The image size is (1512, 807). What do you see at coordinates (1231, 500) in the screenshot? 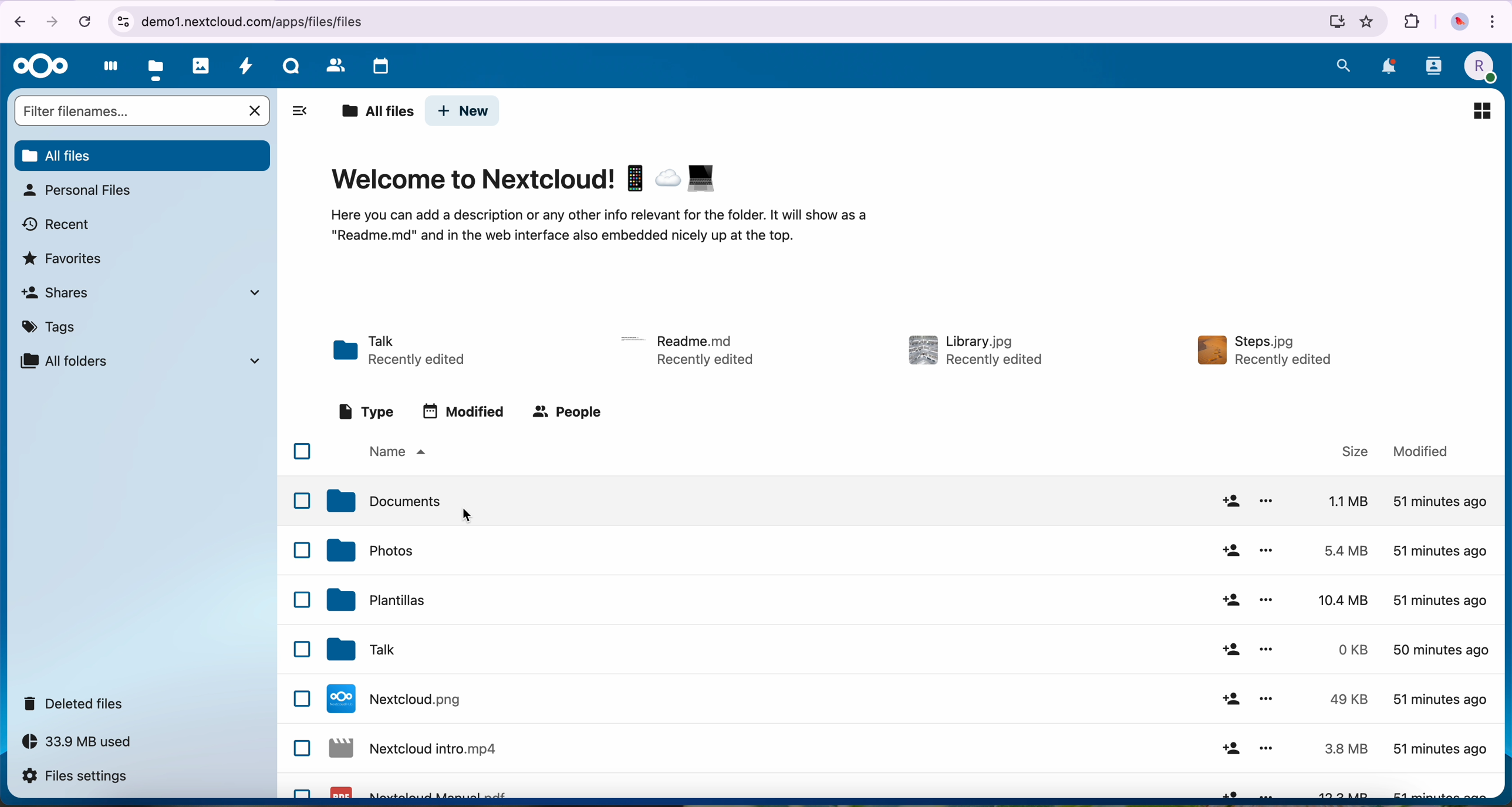
I see `add` at bounding box center [1231, 500].